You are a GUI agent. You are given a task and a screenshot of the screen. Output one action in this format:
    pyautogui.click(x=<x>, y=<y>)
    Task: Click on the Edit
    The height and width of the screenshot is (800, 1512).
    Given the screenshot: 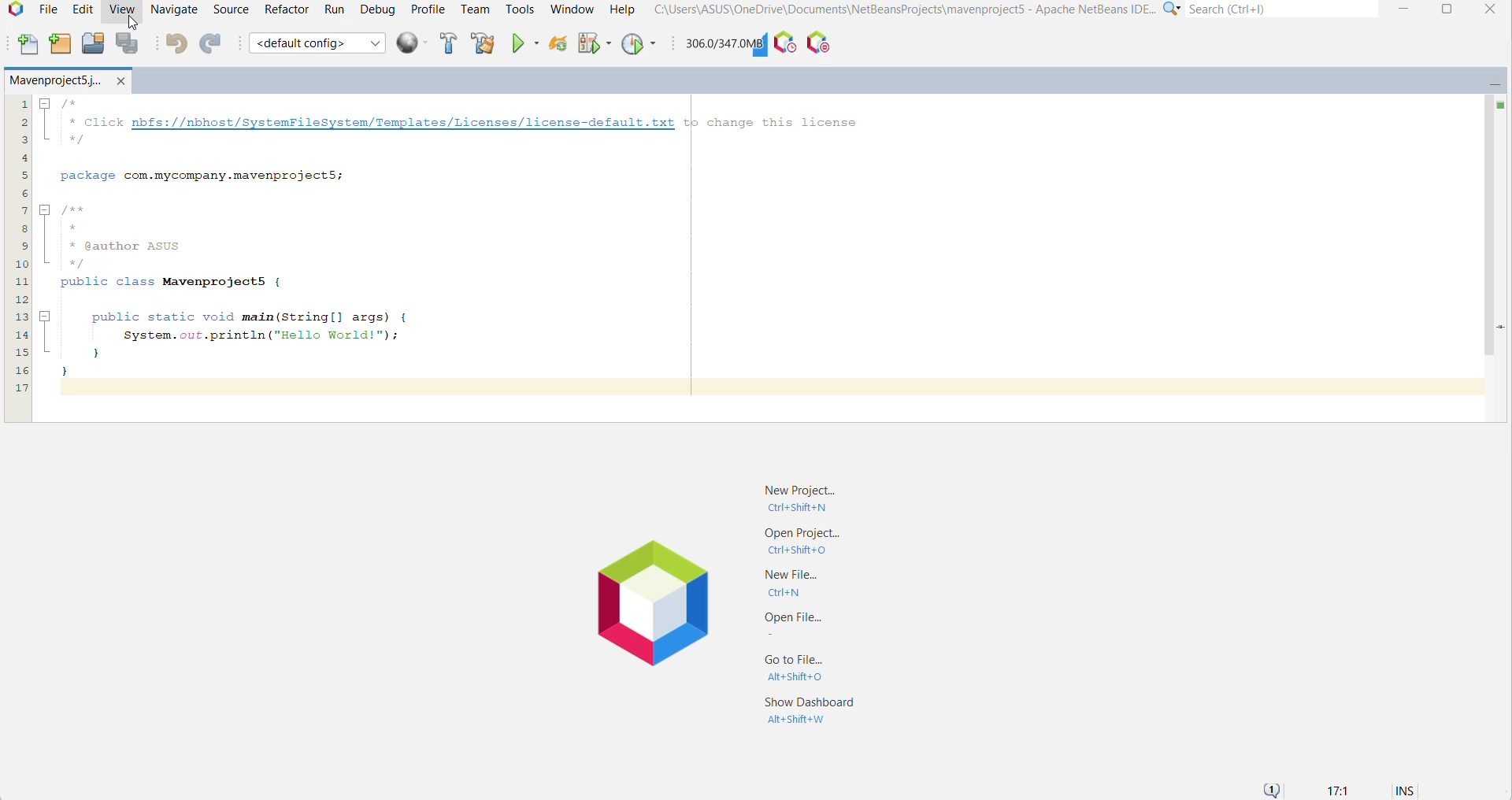 What is the action you would take?
    pyautogui.click(x=81, y=9)
    